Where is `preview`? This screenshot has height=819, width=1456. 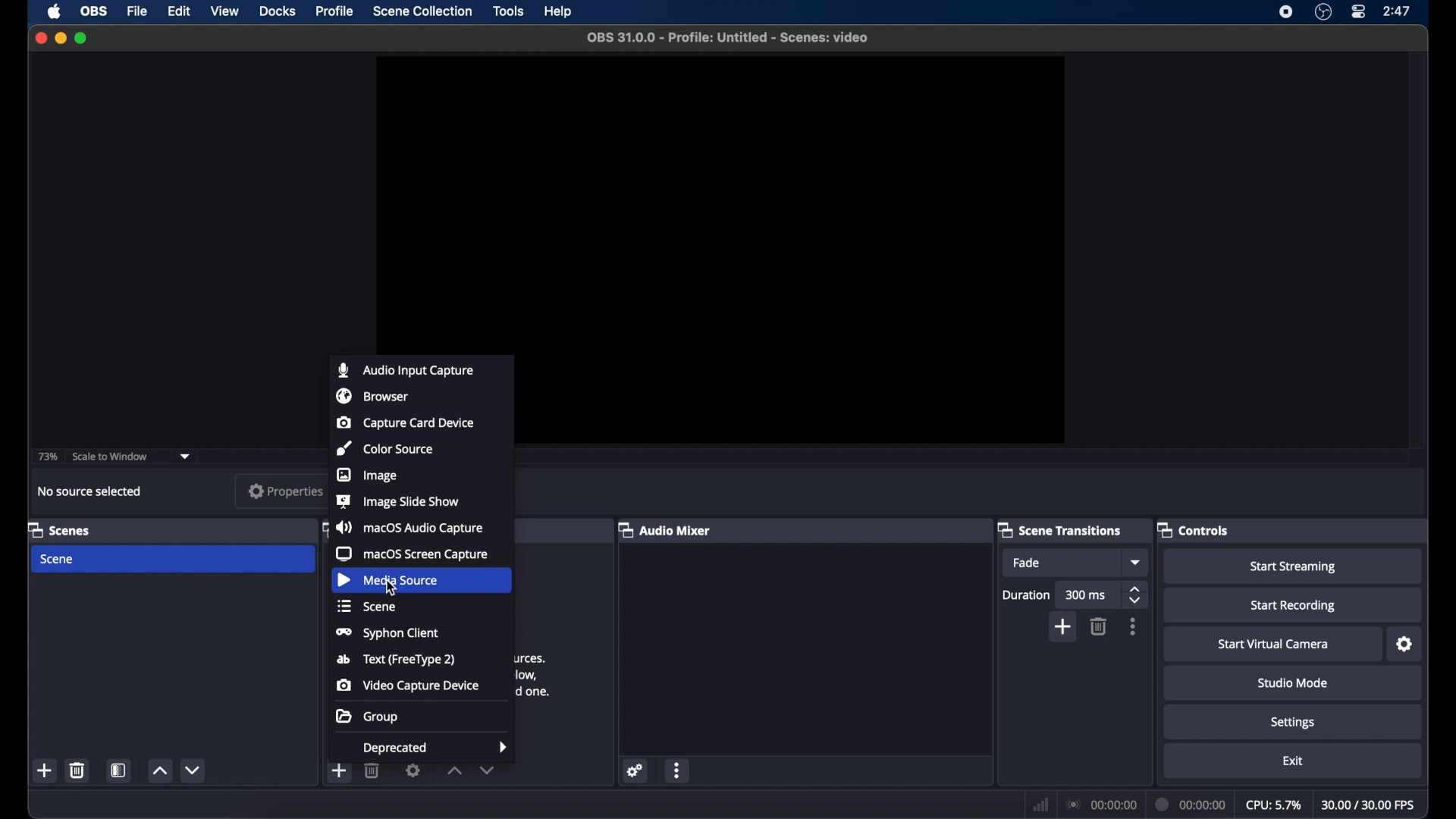
preview is located at coordinates (798, 249).